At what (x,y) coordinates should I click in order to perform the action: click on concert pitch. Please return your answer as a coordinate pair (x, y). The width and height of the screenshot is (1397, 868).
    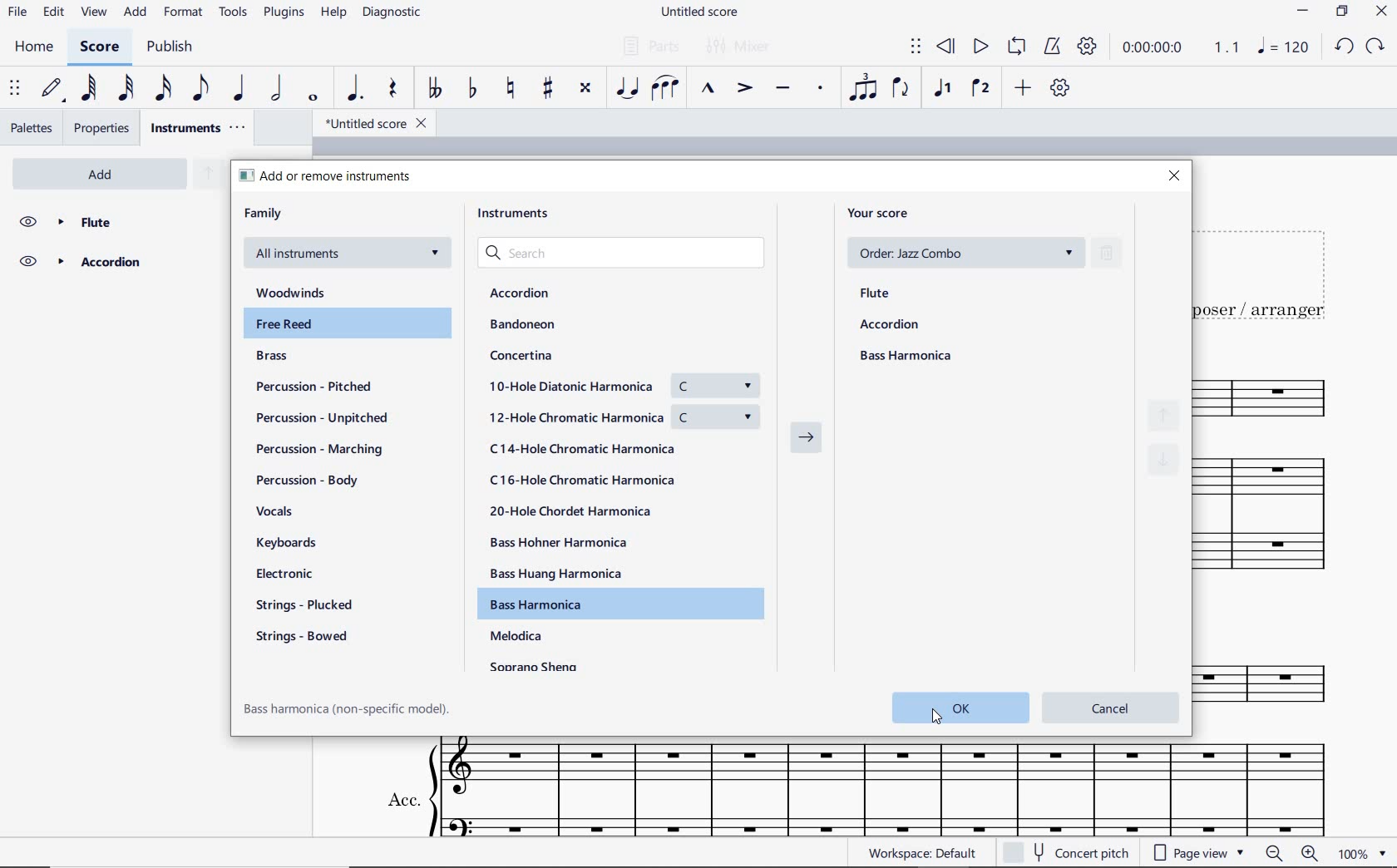
    Looking at the image, I should click on (1083, 854).